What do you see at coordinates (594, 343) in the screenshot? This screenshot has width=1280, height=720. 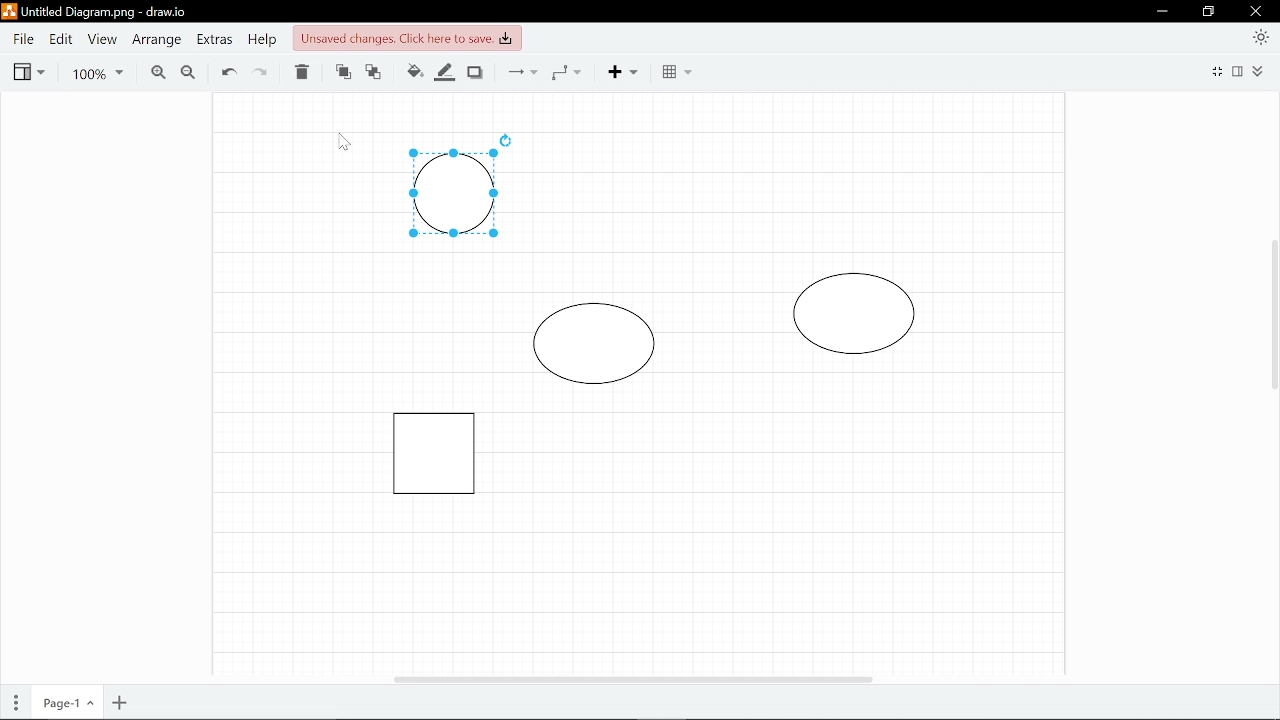 I see `Diagram` at bounding box center [594, 343].